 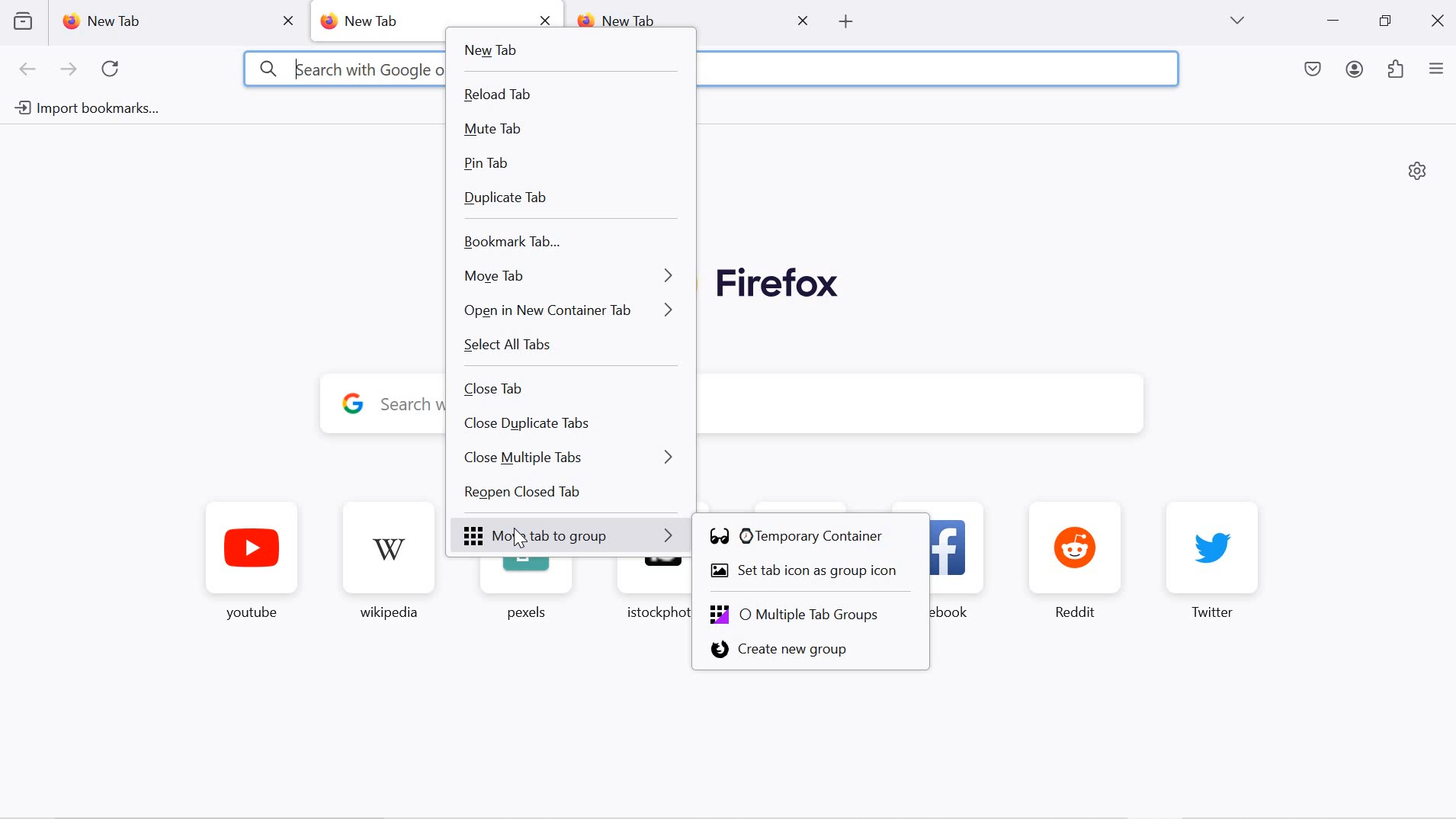 I want to click on close tab, so click(x=571, y=389).